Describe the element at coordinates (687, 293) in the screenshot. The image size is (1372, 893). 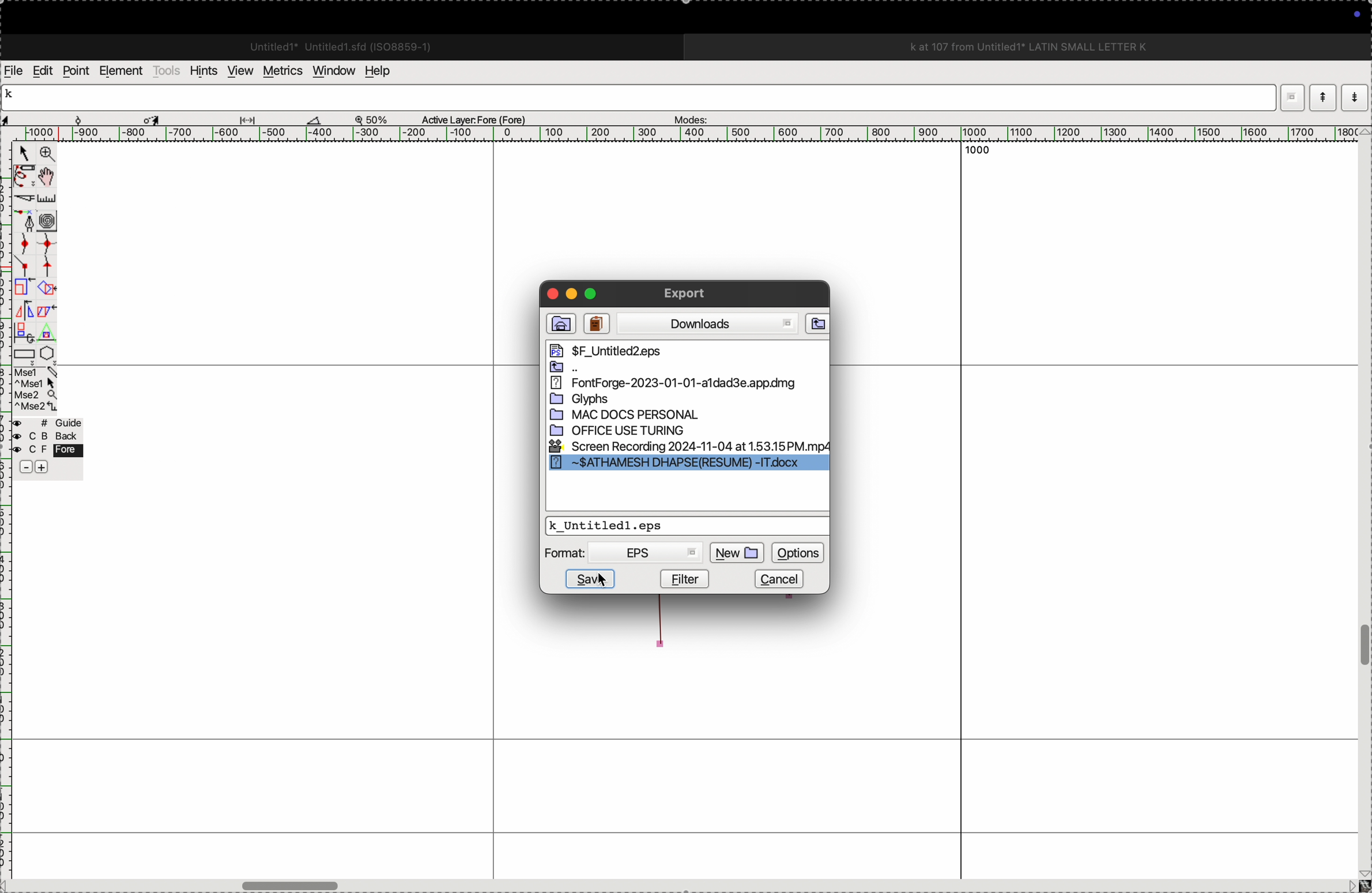
I see `export` at that location.